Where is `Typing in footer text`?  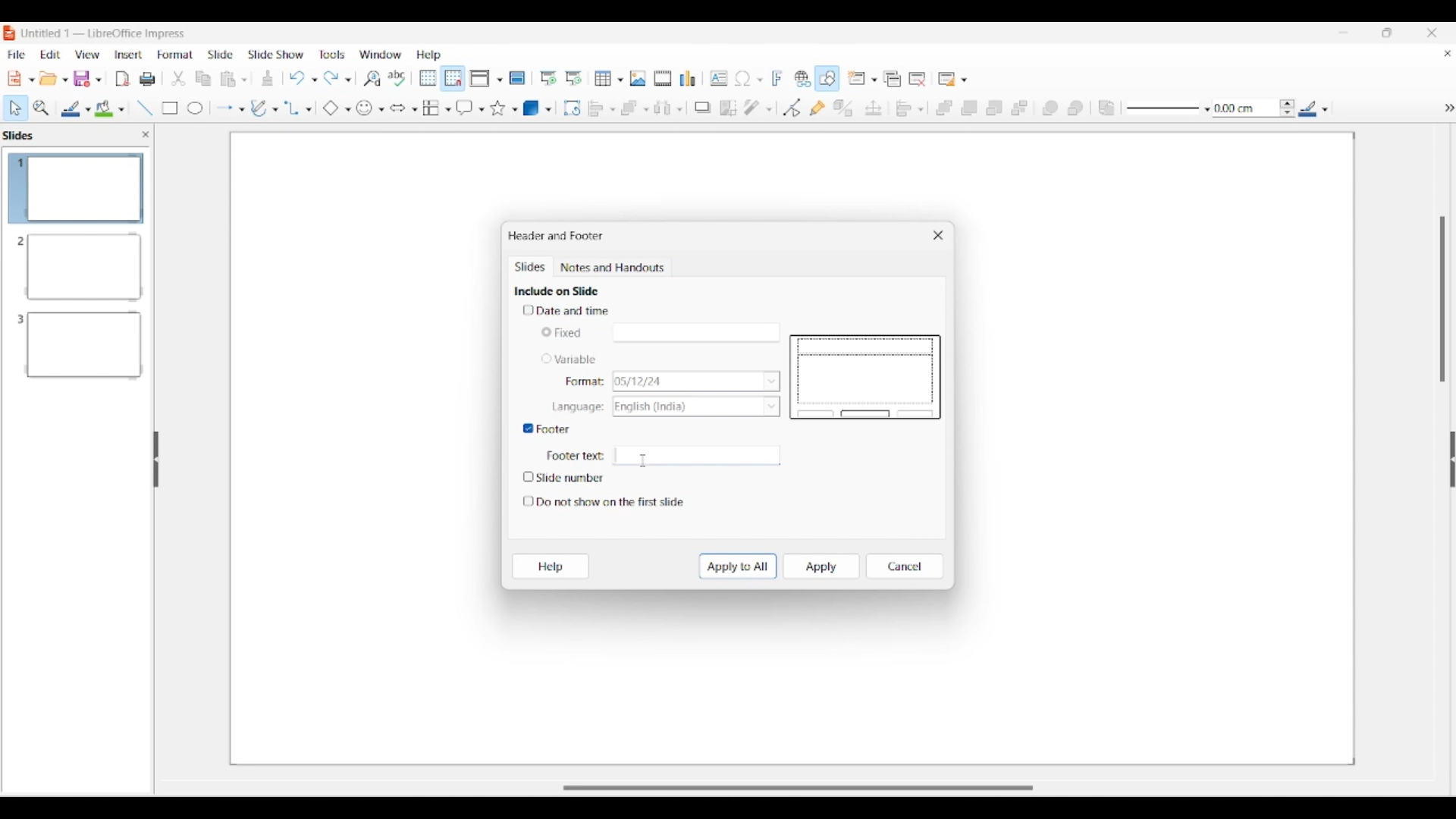 Typing in footer text is located at coordinates (615, 455).